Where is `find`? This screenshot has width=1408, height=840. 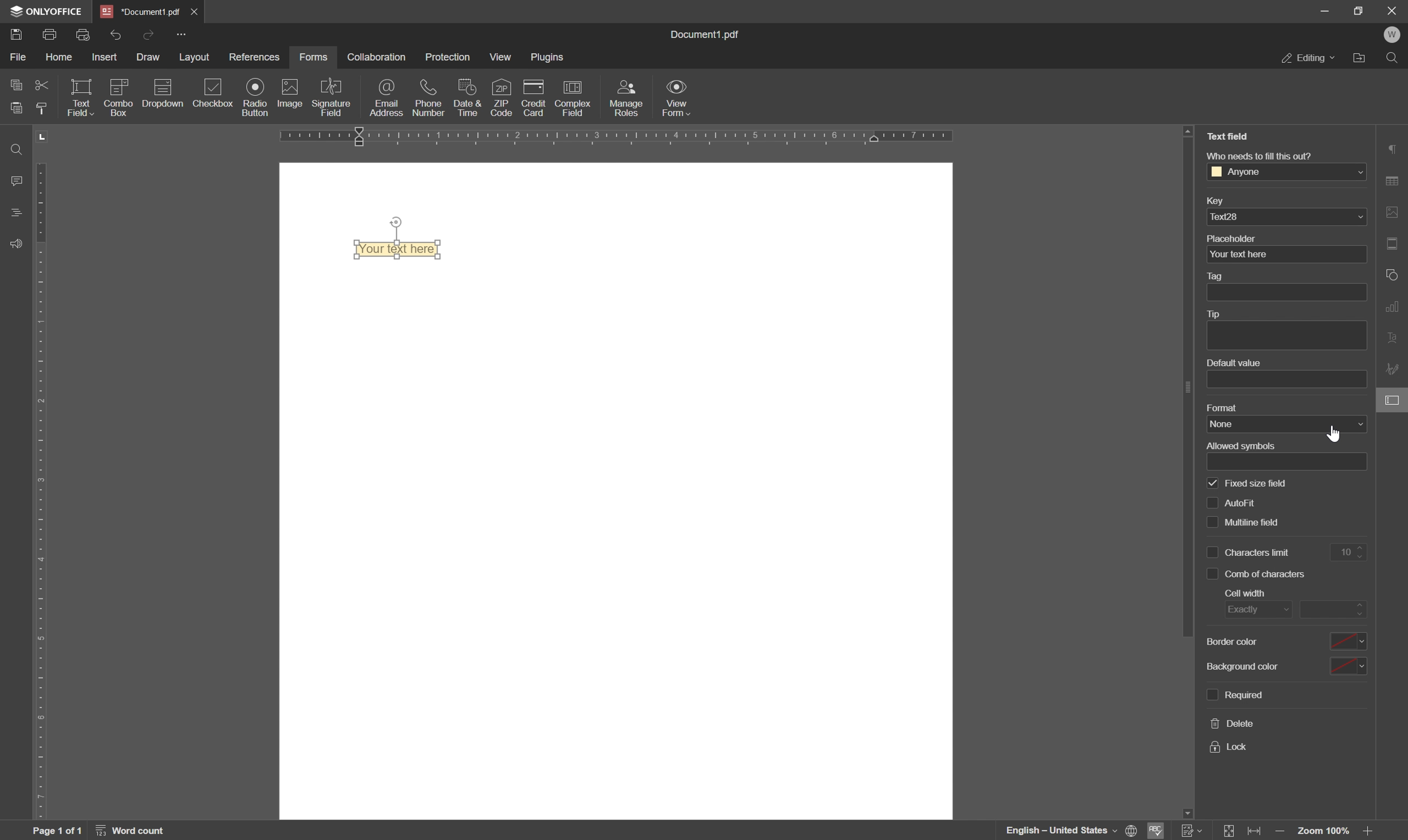
find is located at coordinates (1394, 58).